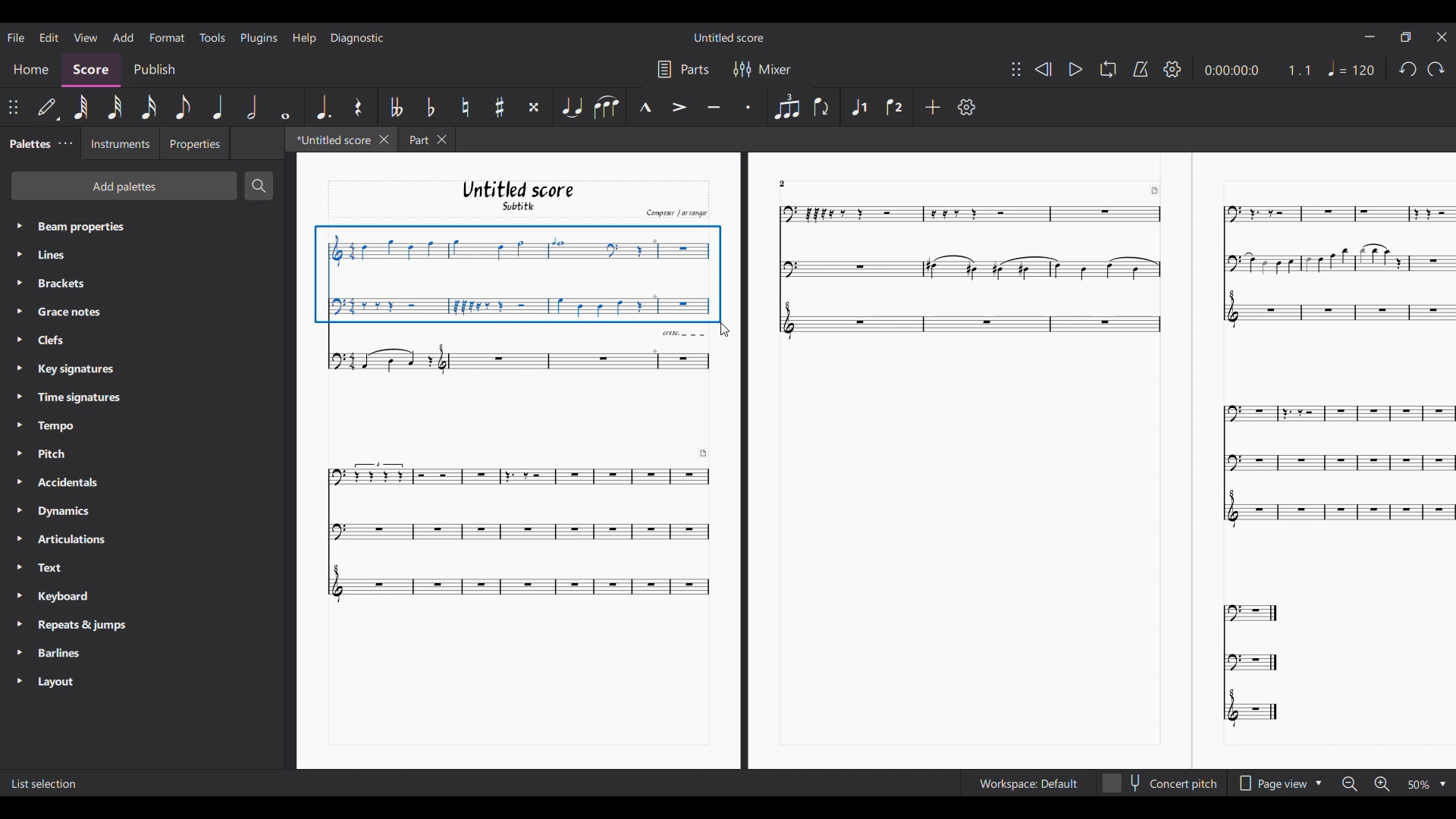  Describe the element at coordinates (219, 107) in the screenshot. I see `Quarter note` at that location.